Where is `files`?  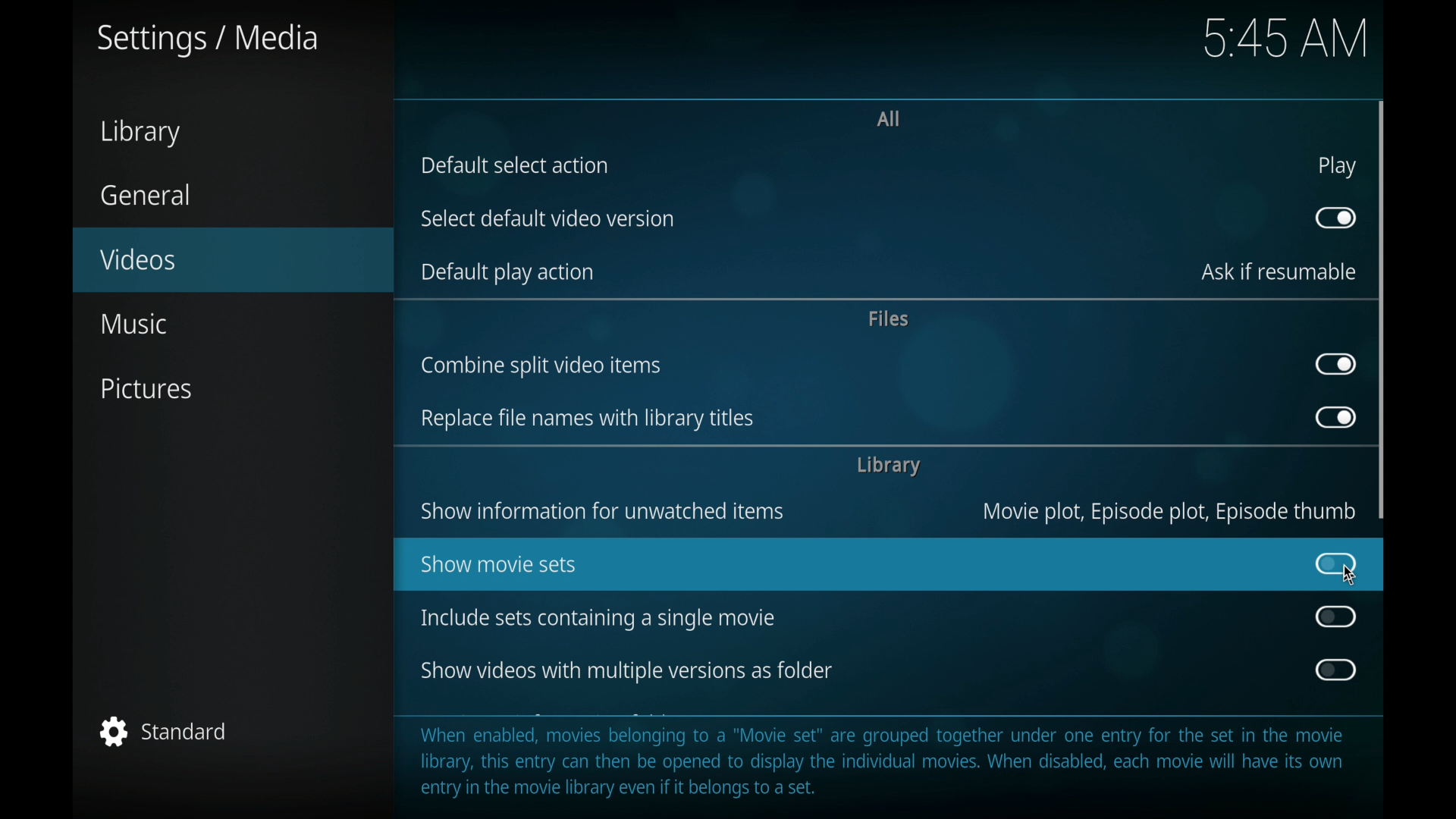
files is located at coordinates (887, 319).